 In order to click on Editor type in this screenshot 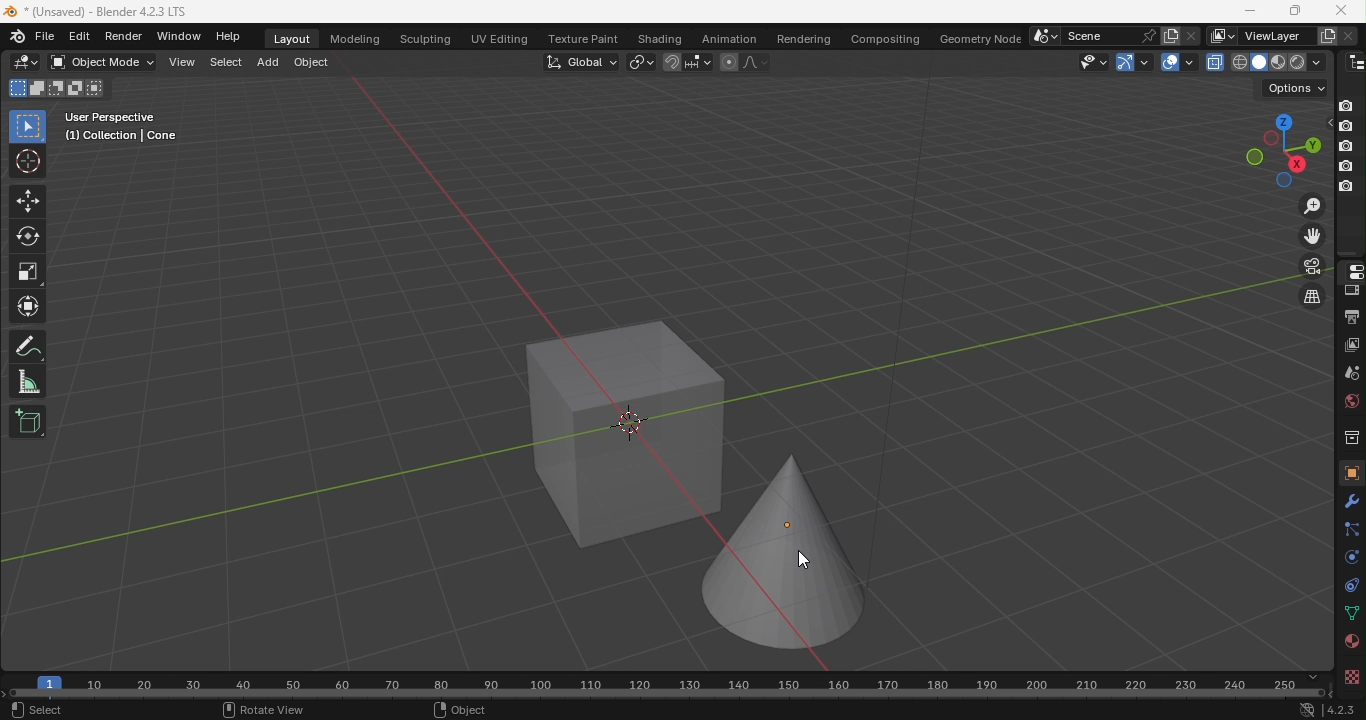, I will do `click(27, 62)`.